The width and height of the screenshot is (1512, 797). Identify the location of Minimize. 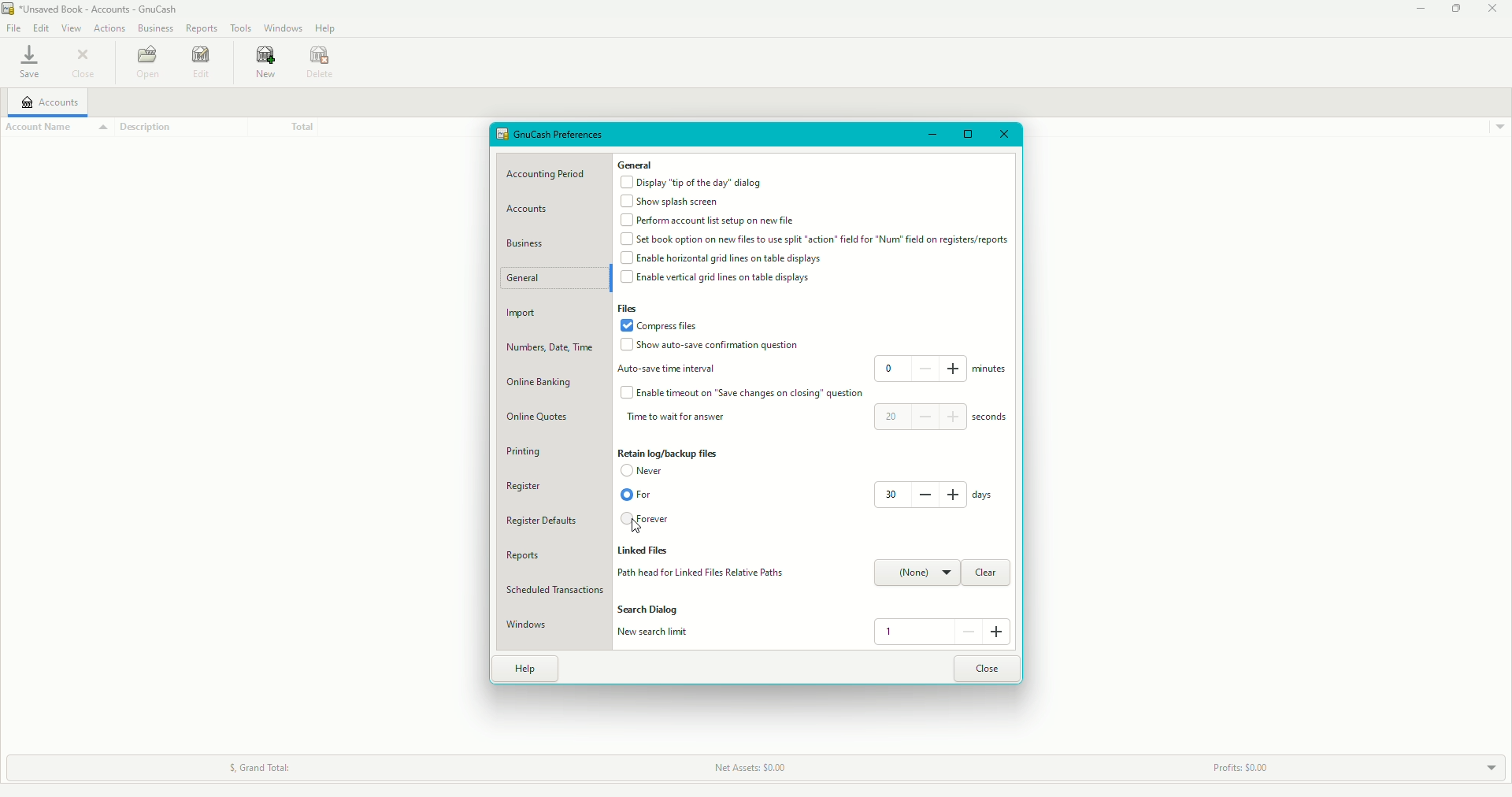
(928, 133).